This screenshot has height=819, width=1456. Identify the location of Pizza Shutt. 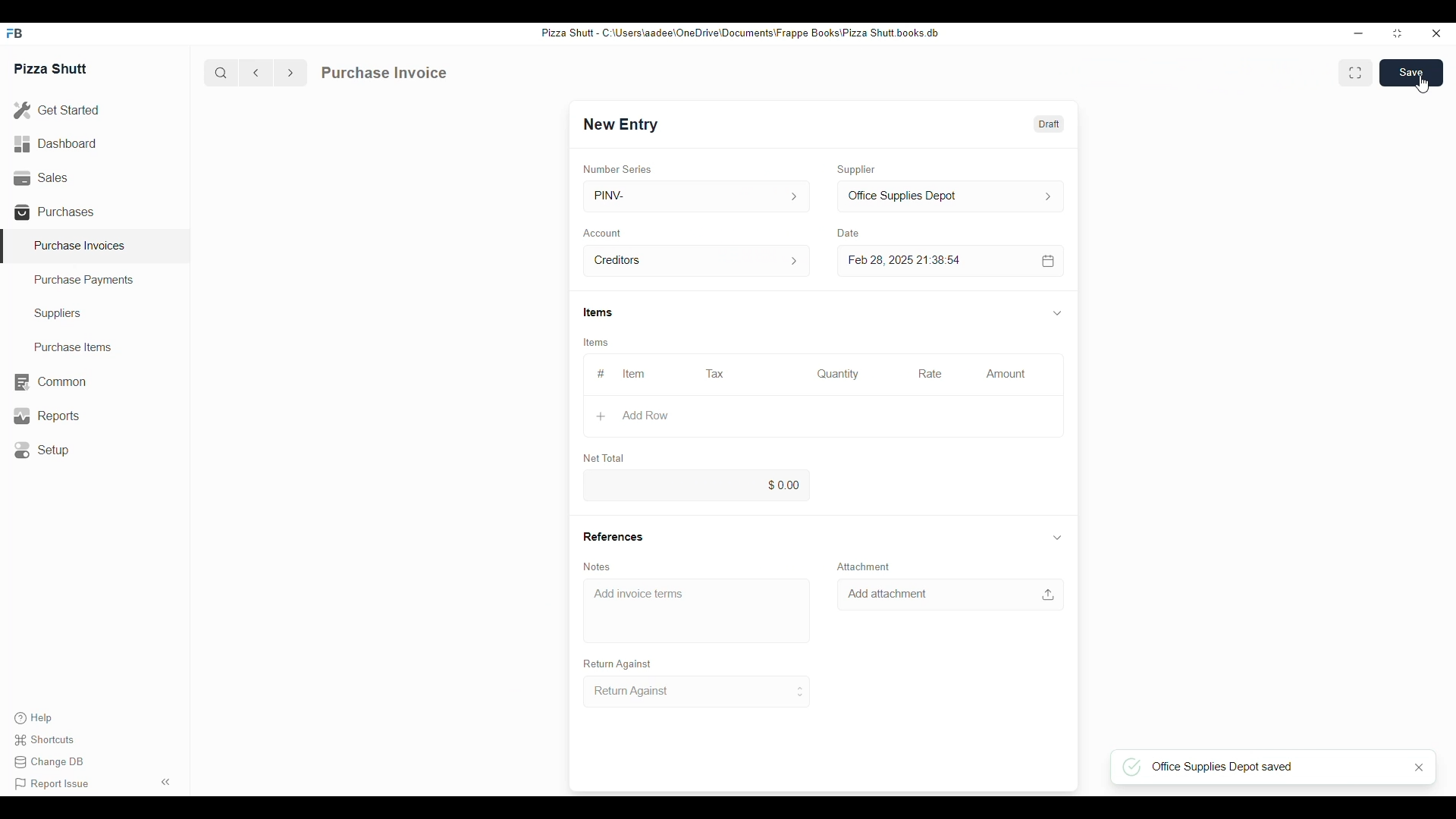
(52, 67).